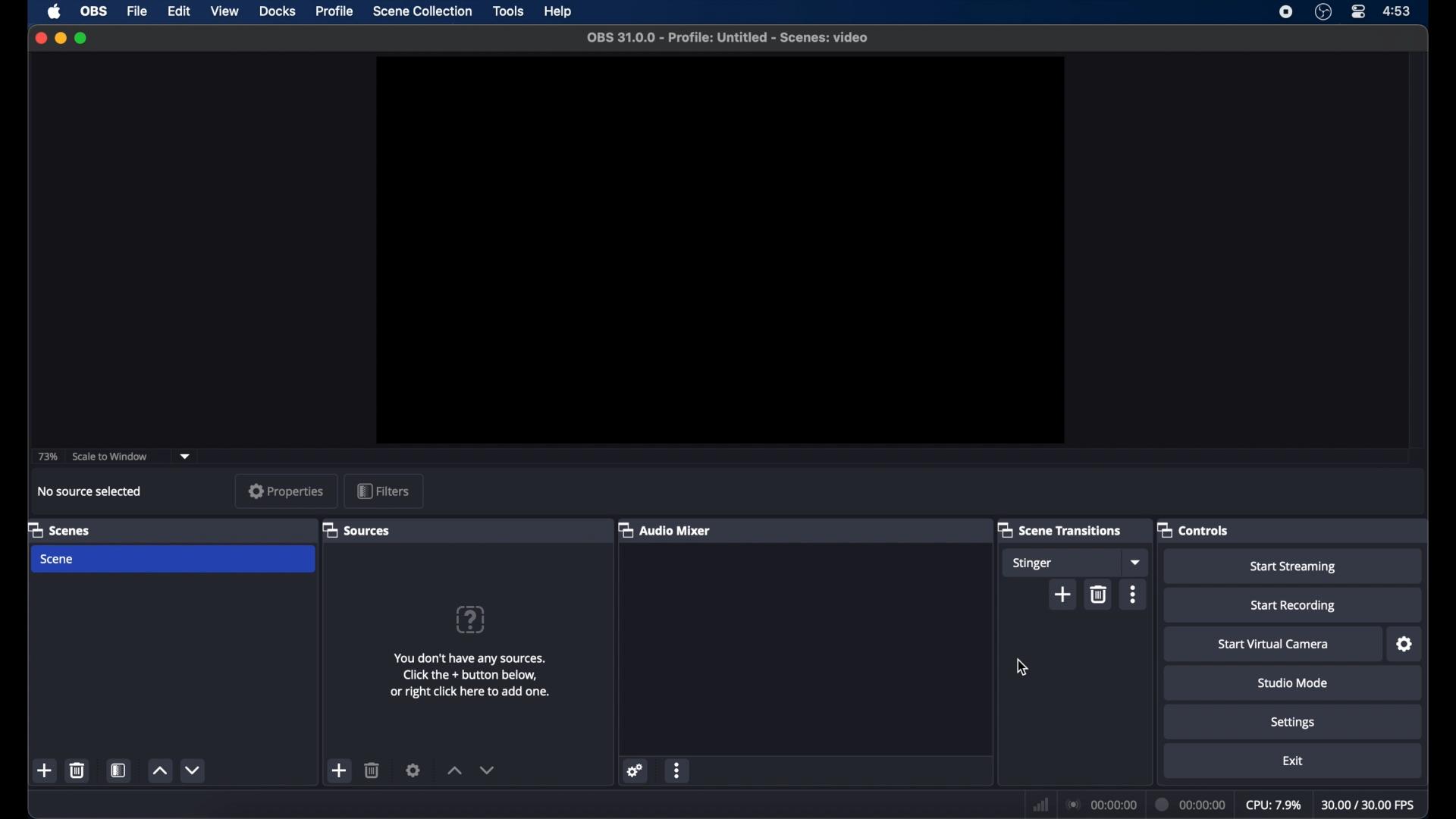  Describe the element at coordinates (665, 531) in the screenshot. I see `audio mixer` at that location.